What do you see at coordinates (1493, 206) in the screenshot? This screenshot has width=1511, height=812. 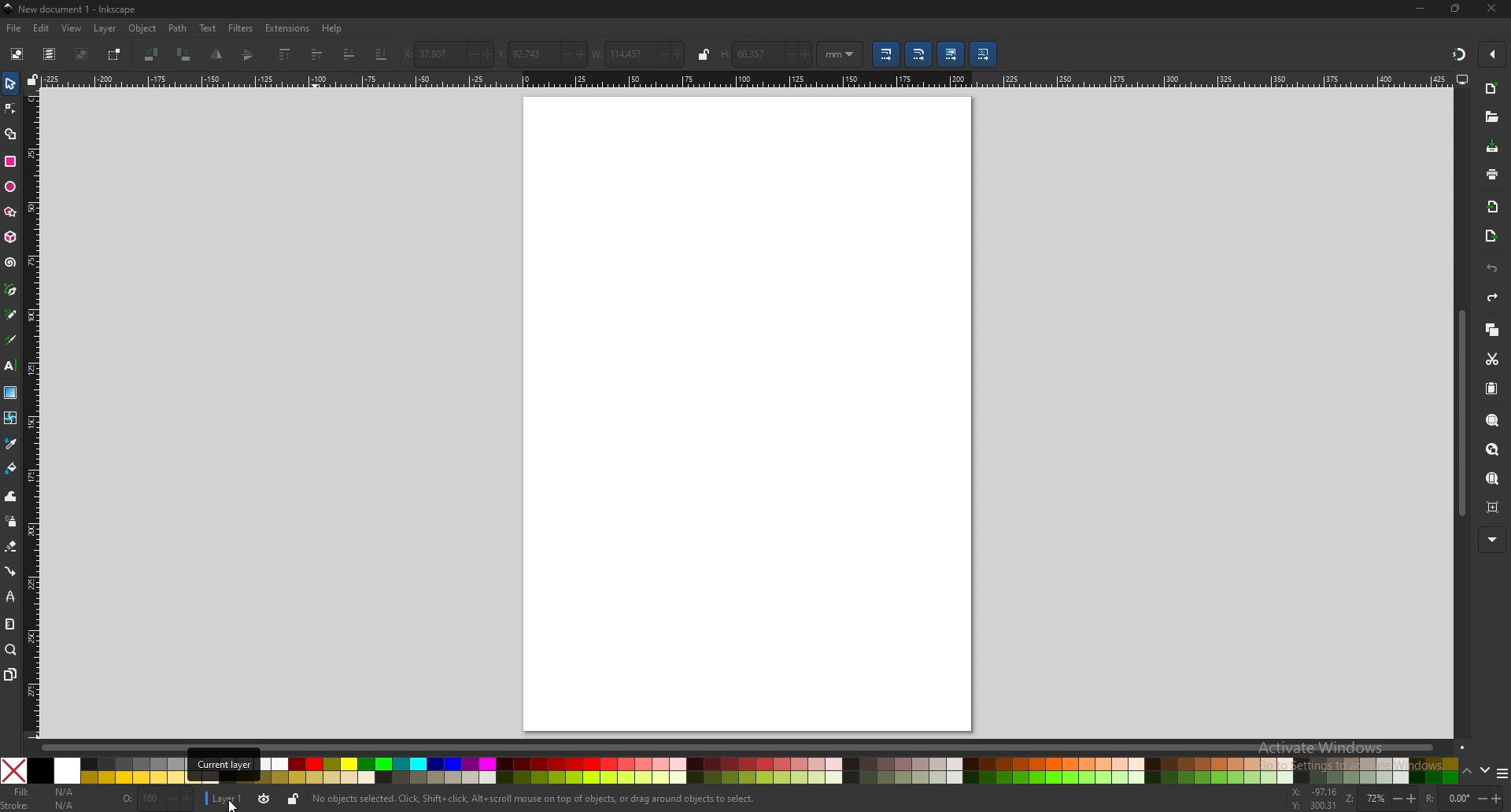 I see `import` at bounding box center [1493, 206].